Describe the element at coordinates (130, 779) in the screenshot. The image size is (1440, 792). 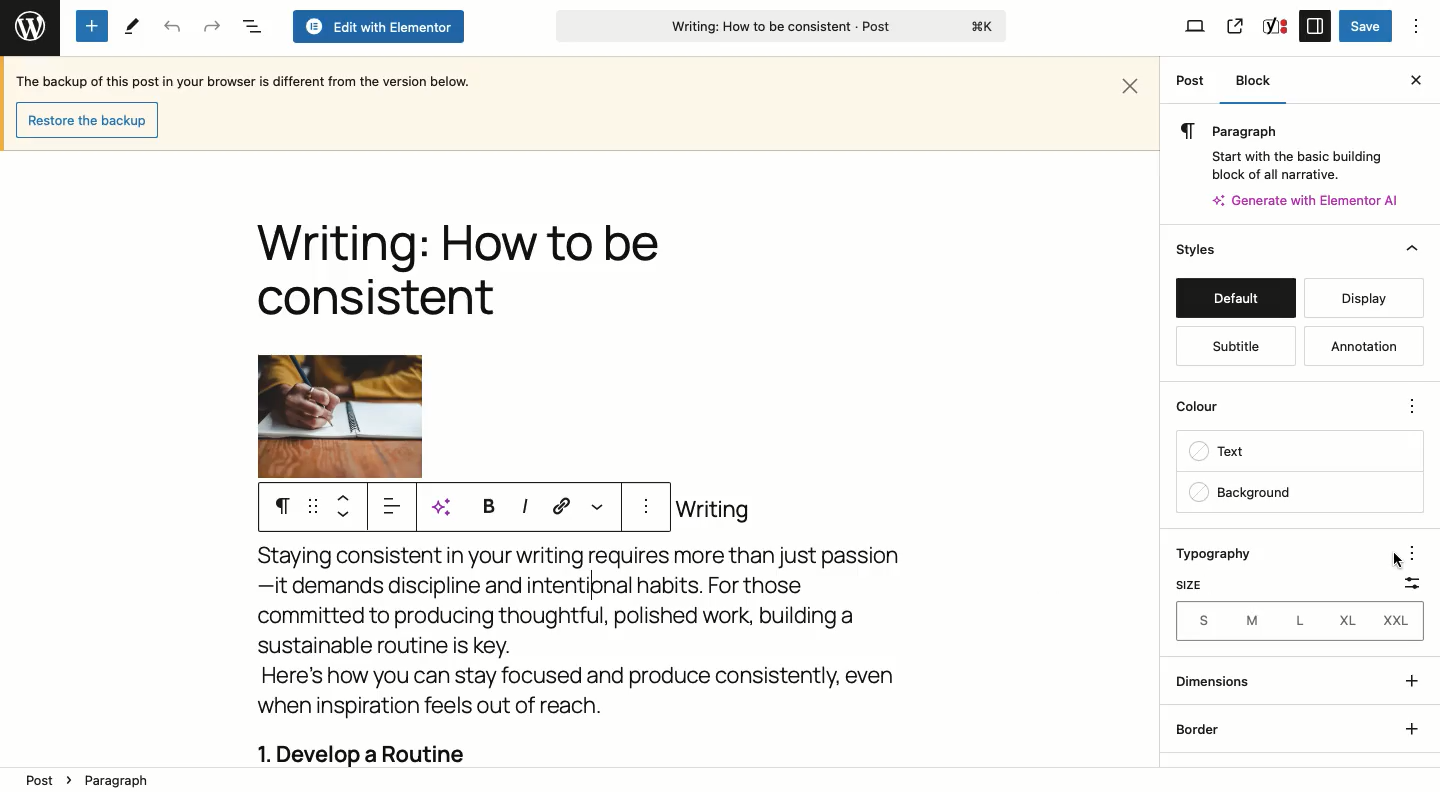
I see `Paragraph` at that location.